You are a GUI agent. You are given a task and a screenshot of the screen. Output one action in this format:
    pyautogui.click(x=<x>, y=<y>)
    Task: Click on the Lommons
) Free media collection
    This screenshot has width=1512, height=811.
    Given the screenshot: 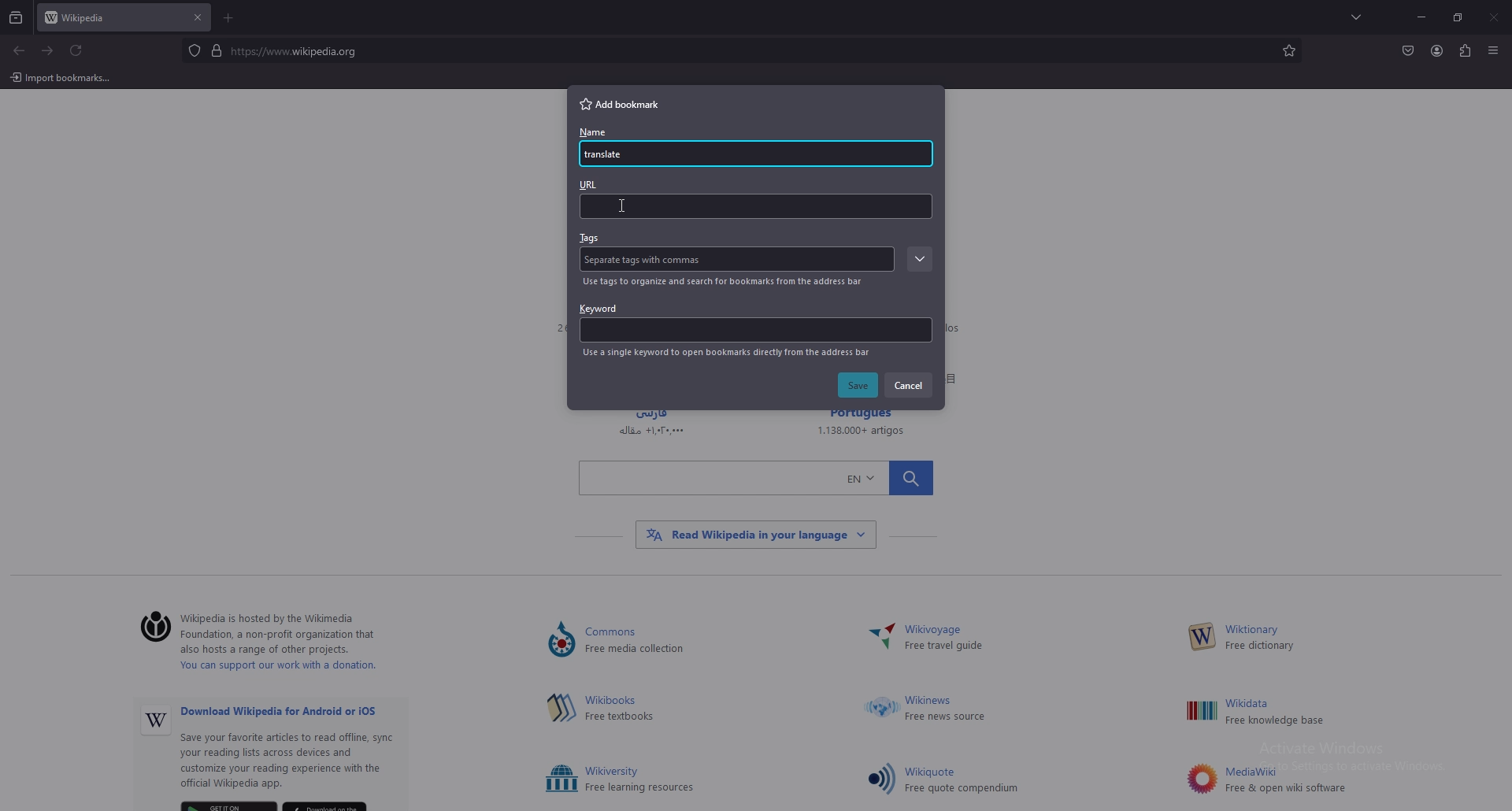 What is the action you would take?
    pyautogui.click(x=654, y=641)
    